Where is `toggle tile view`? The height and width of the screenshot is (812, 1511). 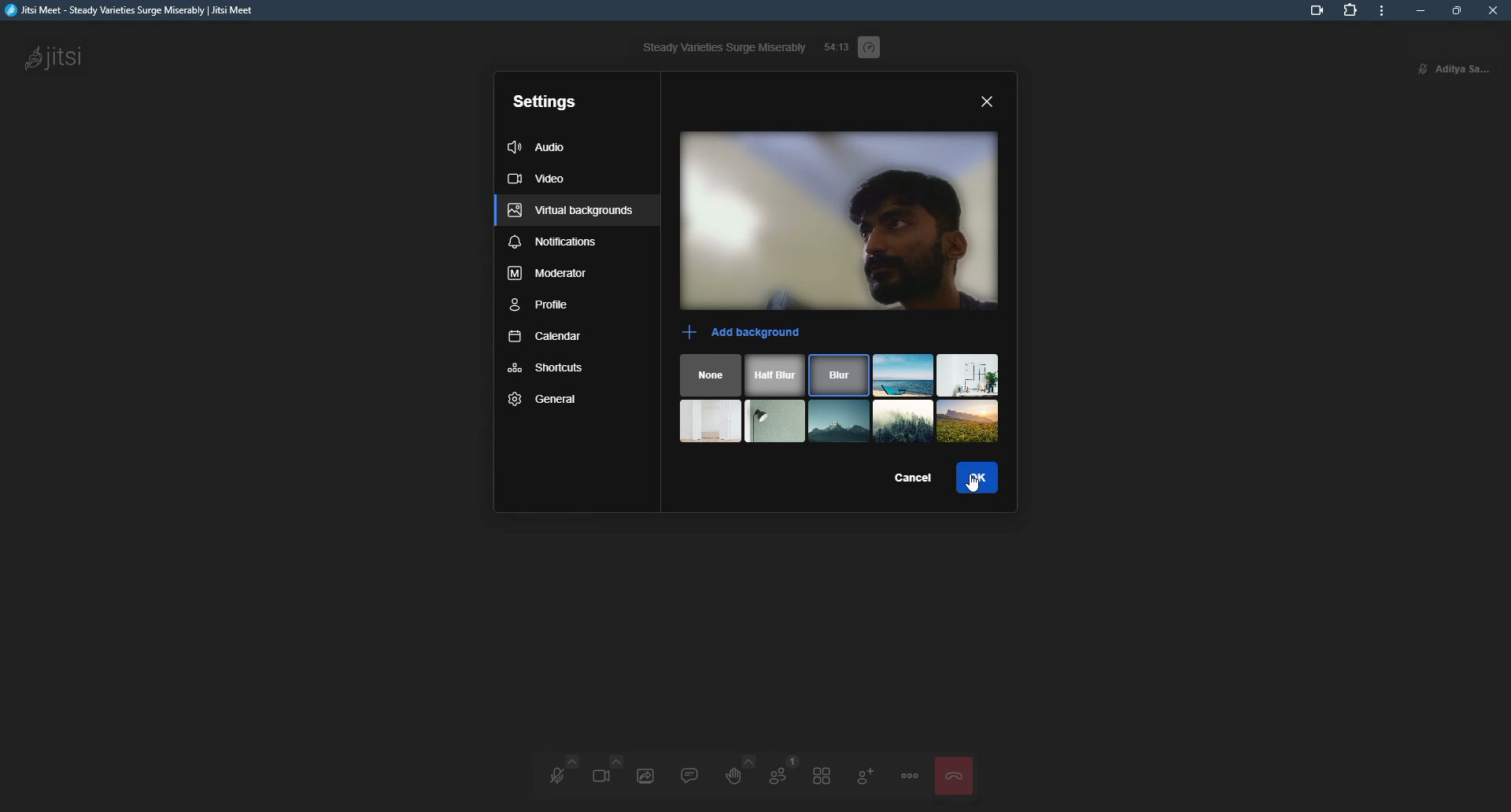 toggle tile view is located at coordinates (823, 775).